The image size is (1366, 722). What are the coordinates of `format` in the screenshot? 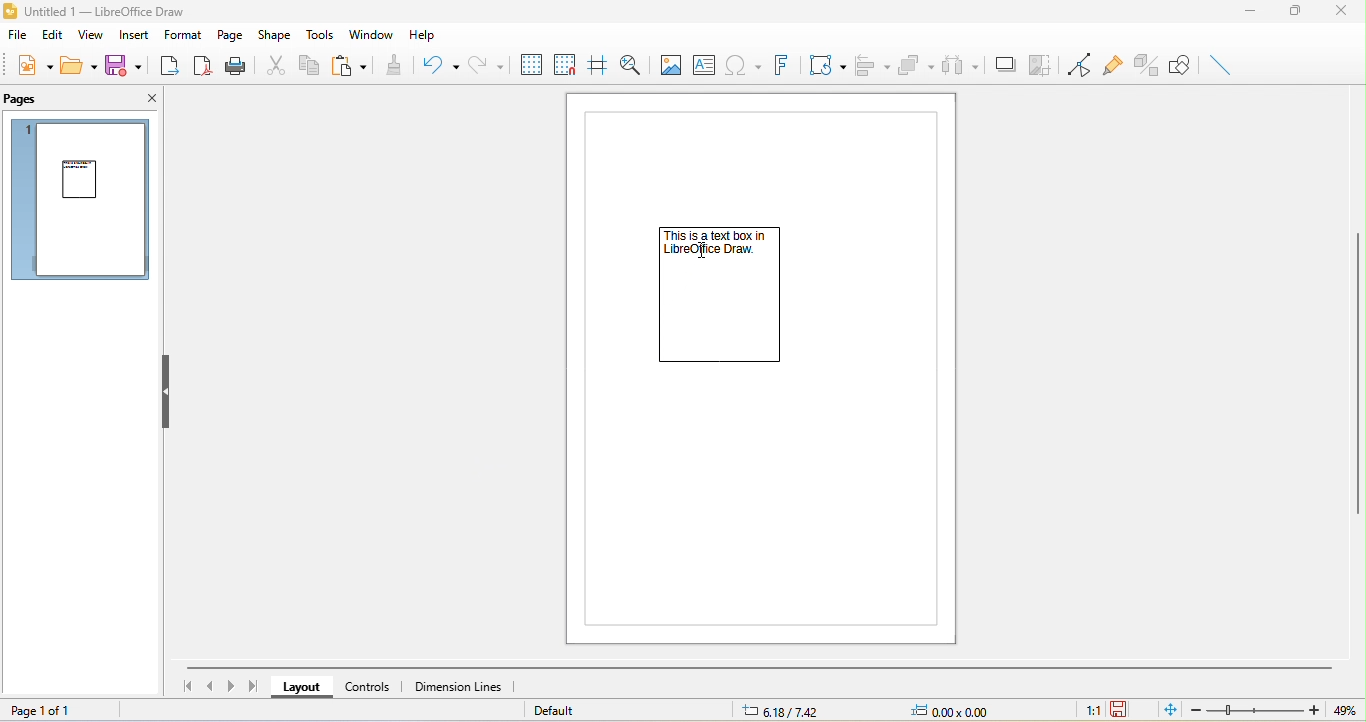 It's located at (183, 37).